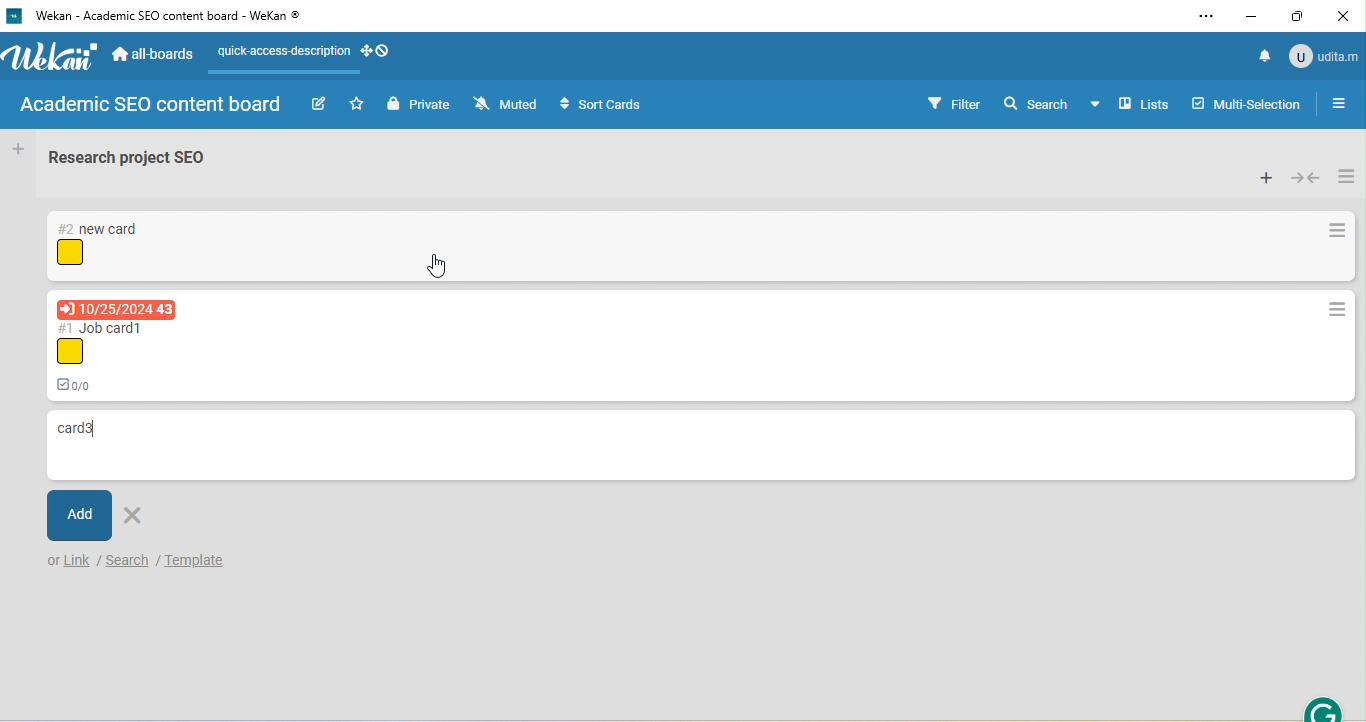  I want to click on icon, so click(69, 352).